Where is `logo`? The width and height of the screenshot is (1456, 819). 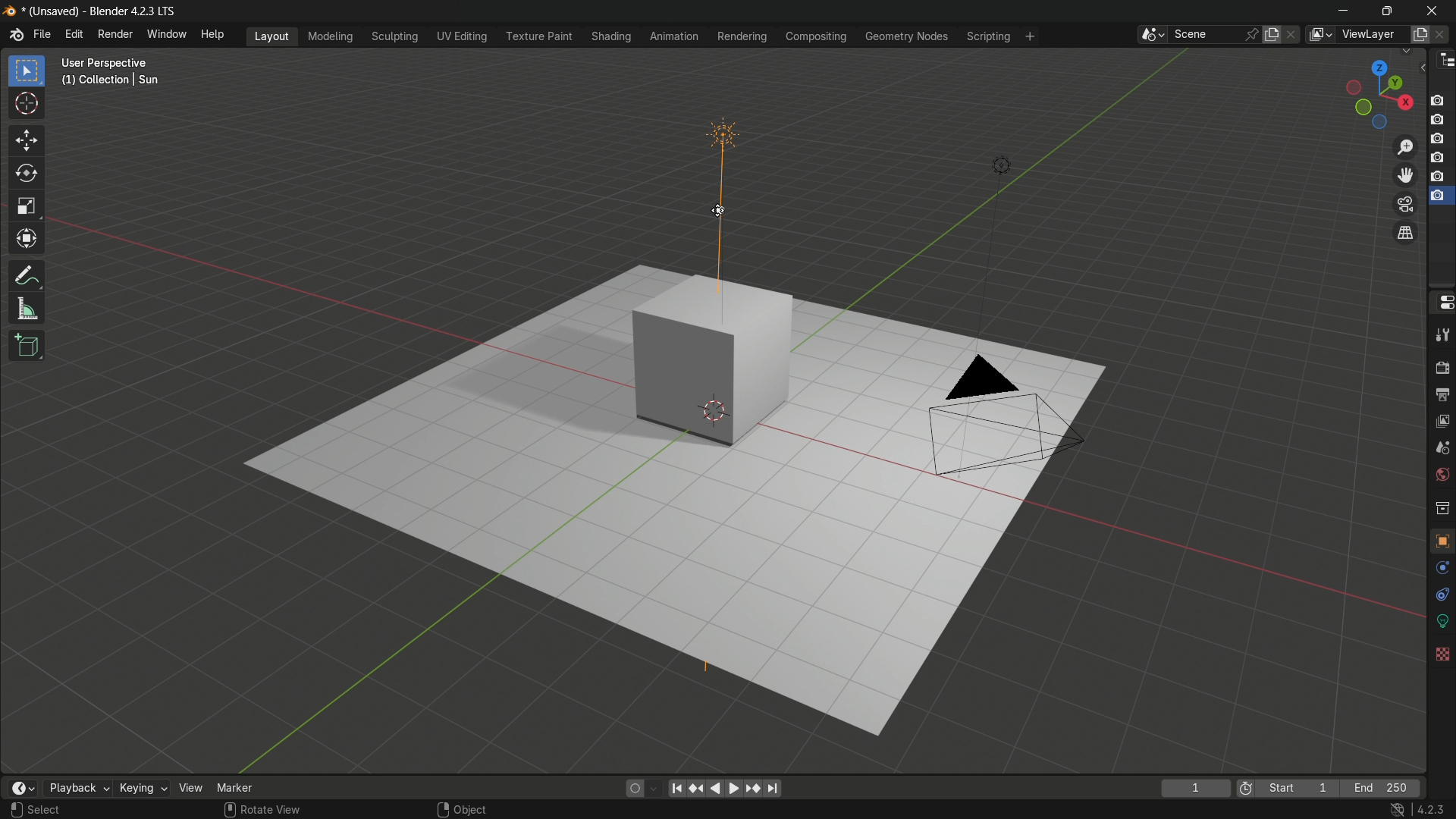 logo is located at coordinates (9, 11).